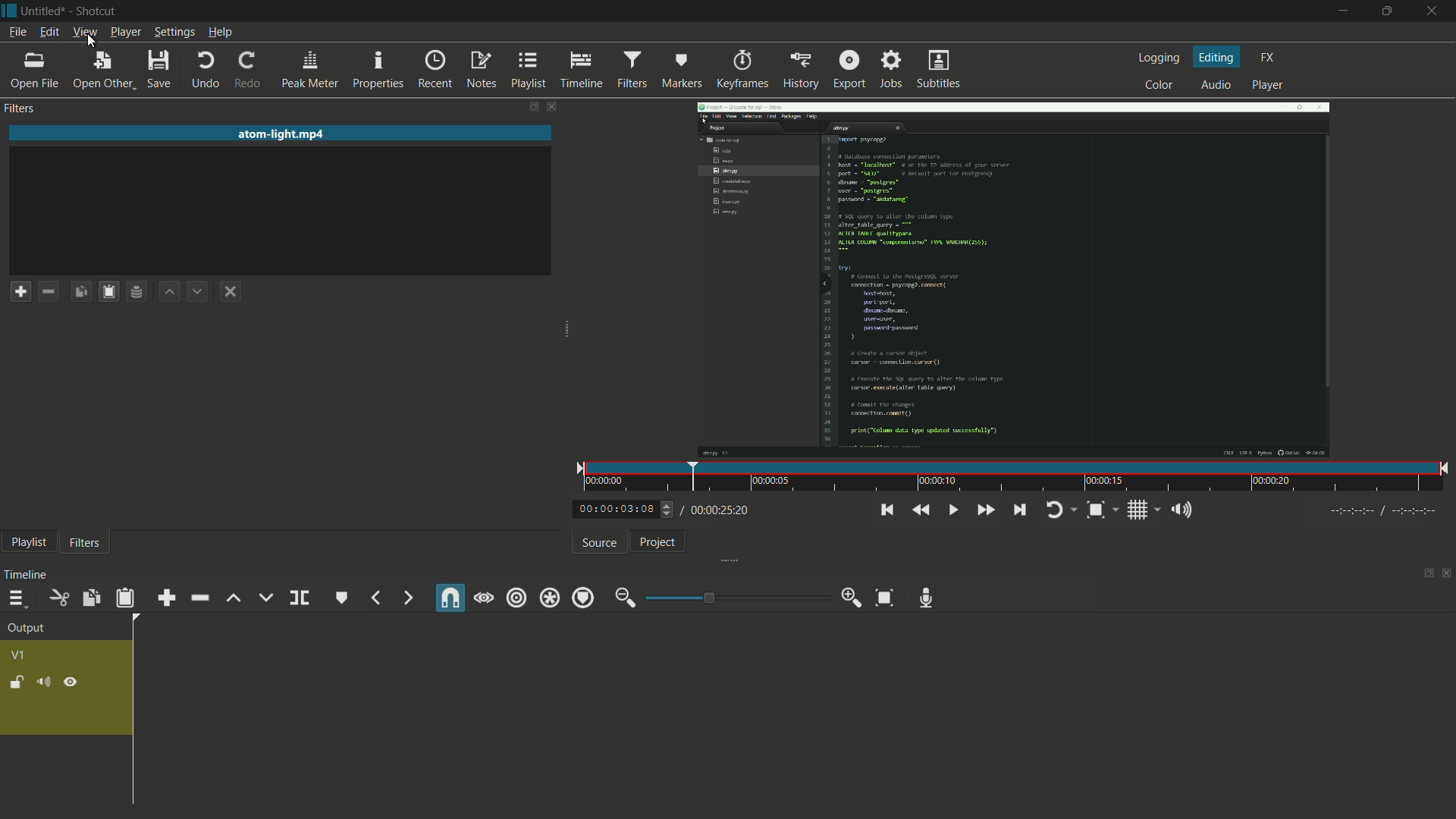 The image size is (1456, 819). Describe the element at coordinates (299, 598) in the screenshot. I see `split at playhead` at that location.